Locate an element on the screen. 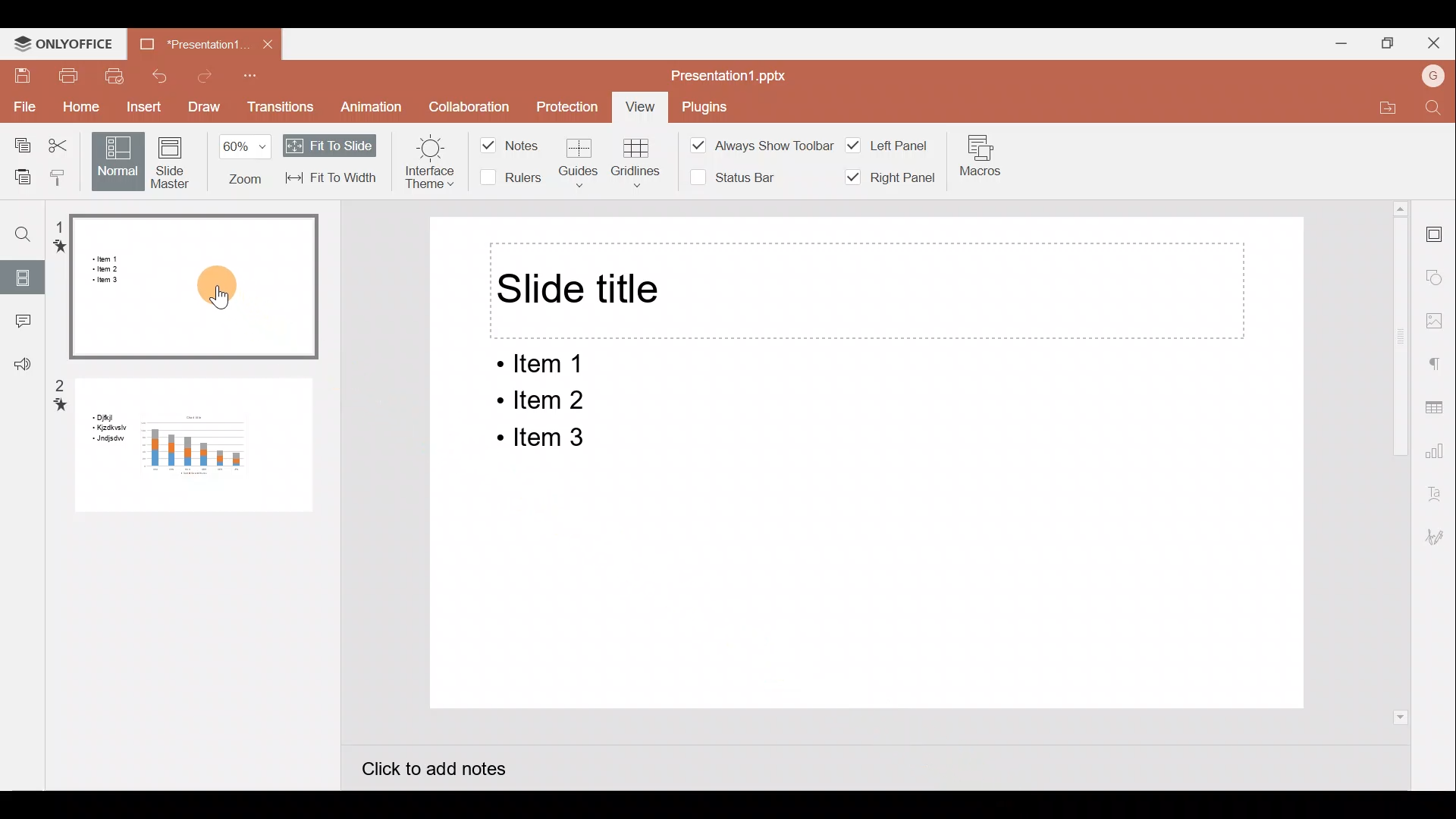 This screenshot has width=1456, height=819. ltem 3 is located at coordinates (540, 439).